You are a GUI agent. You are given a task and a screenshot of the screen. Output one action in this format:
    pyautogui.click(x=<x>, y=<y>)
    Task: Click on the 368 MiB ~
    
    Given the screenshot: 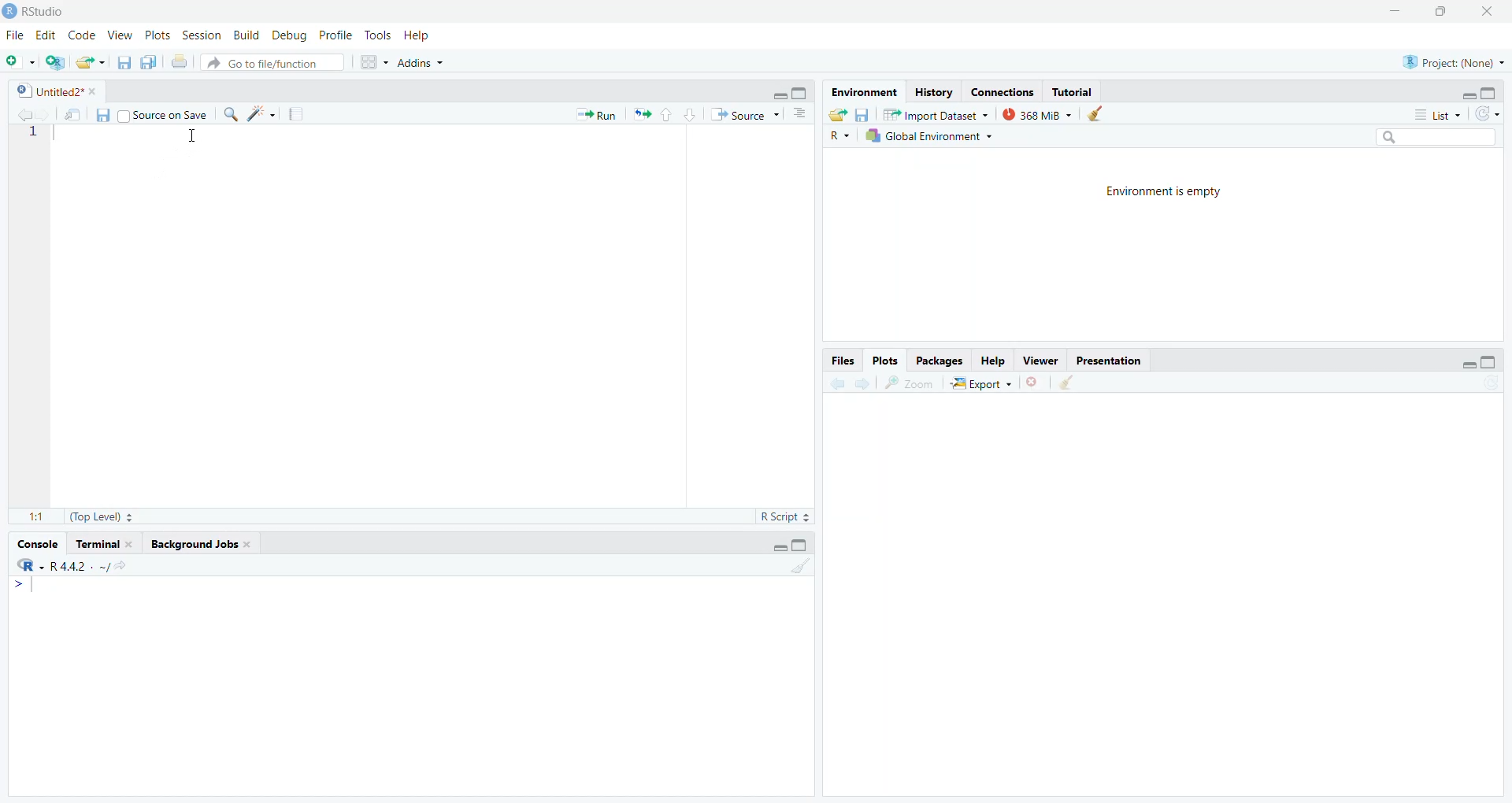 What is the action you would take?
    pyautogui.click(x=1037, y=114)
    